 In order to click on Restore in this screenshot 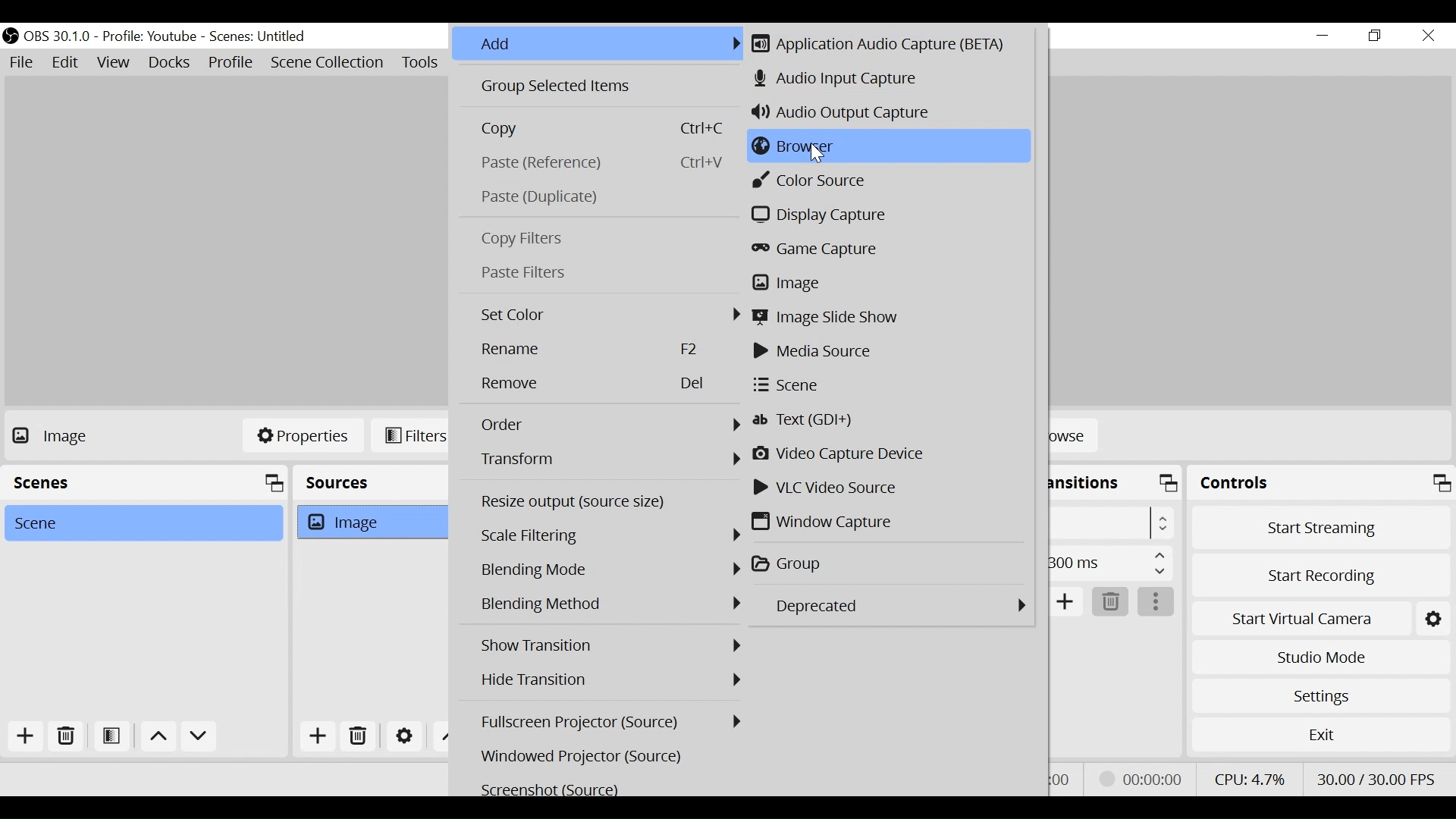, I will do `click(1378, 36)`.